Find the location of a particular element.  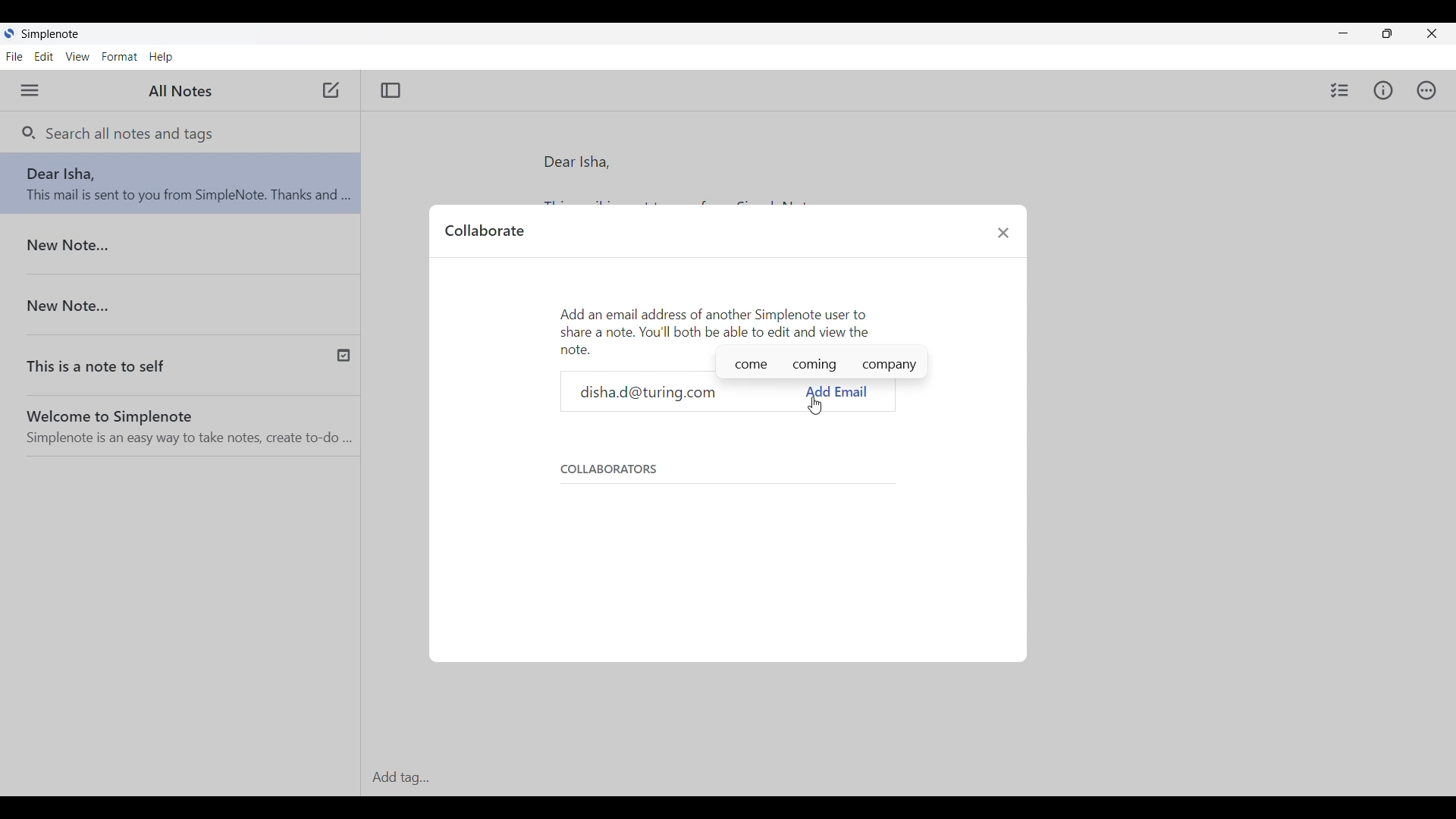

Info is located at coordinates (1384, 90).